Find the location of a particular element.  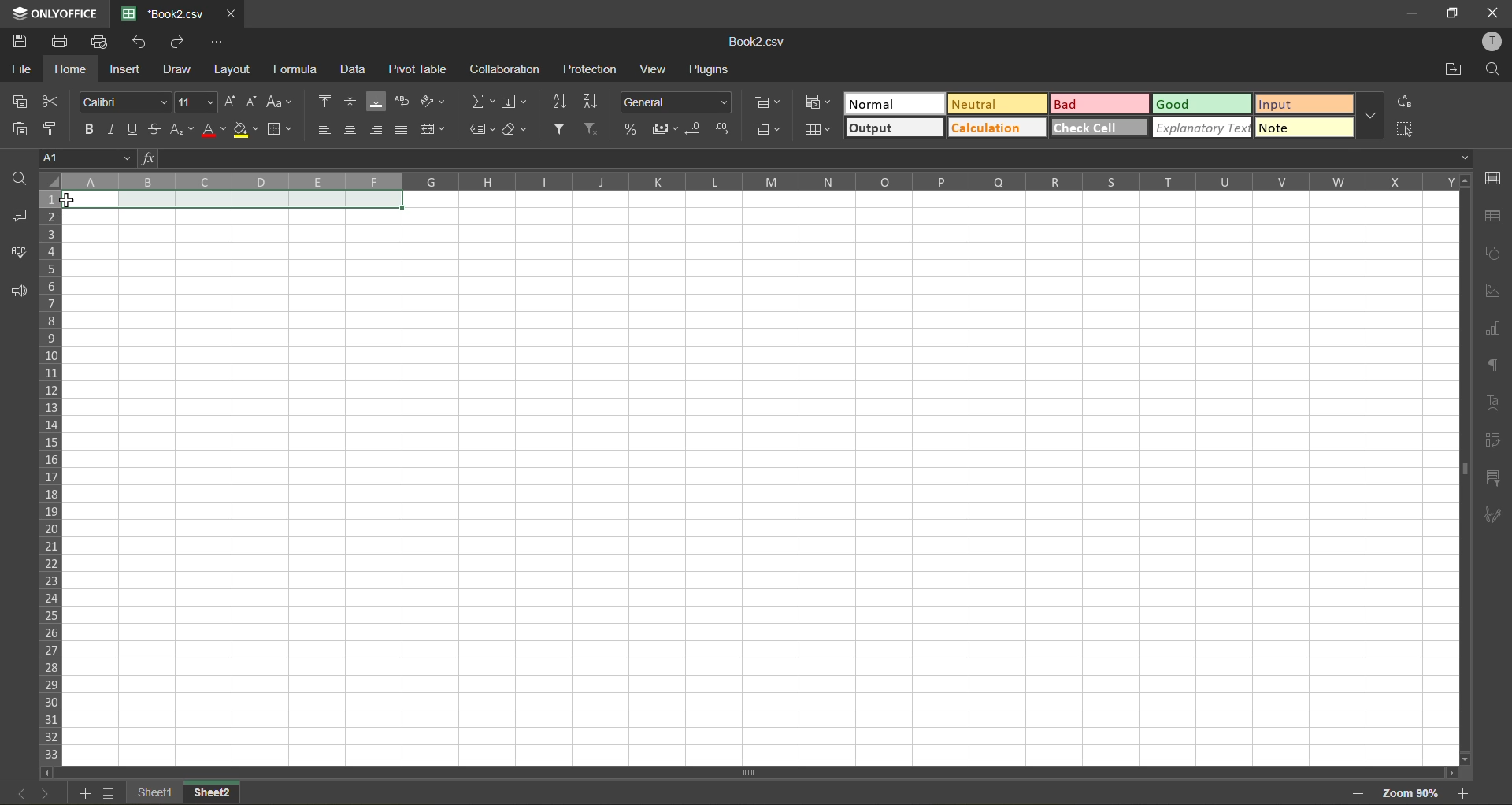

font color is located at coordinates (212, 129).